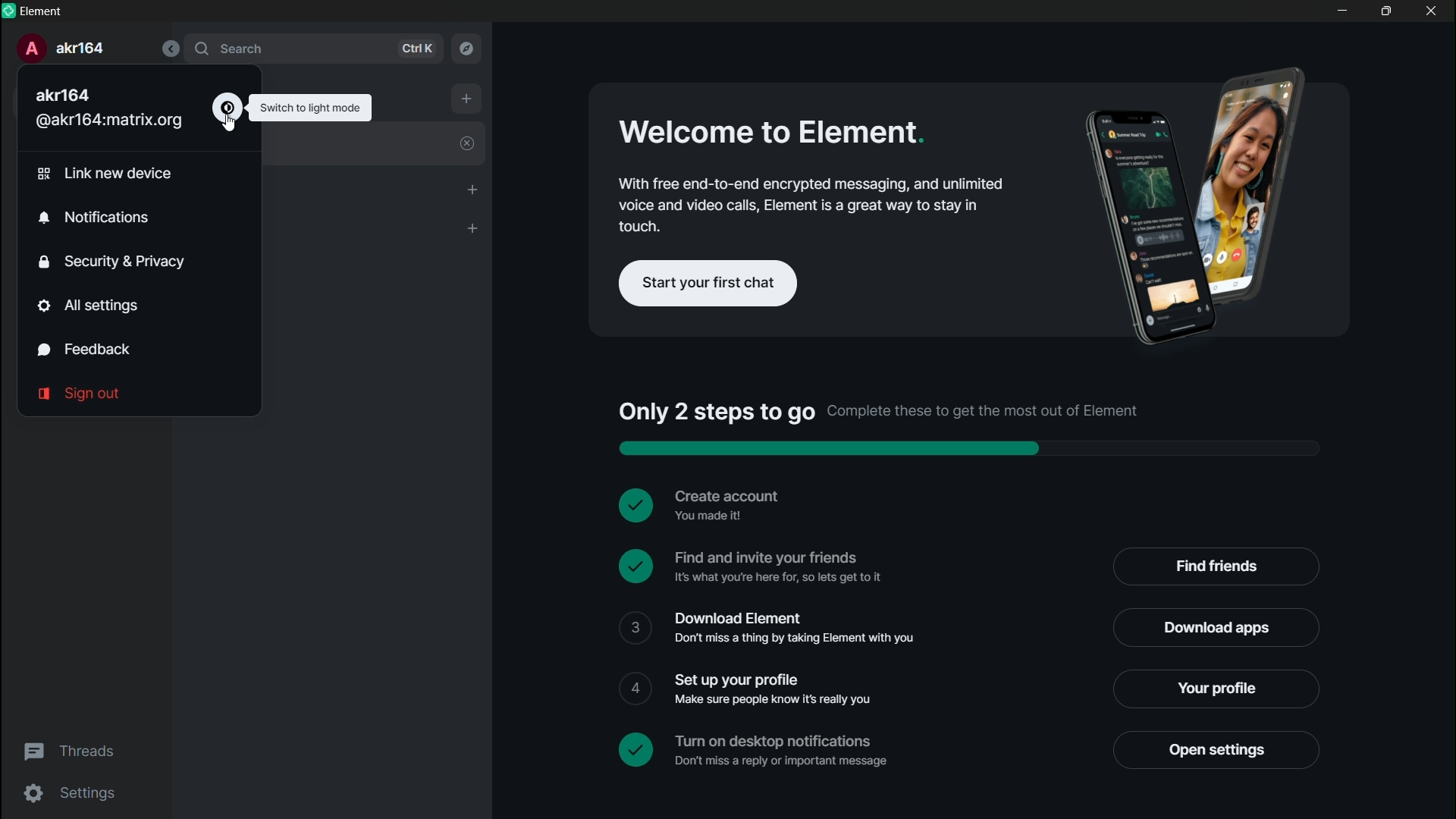 The height and width of the screenshot is (819, 1456). Describe the element at coordinates (229, 129) in the screenshot. I see `cursor` at that location.